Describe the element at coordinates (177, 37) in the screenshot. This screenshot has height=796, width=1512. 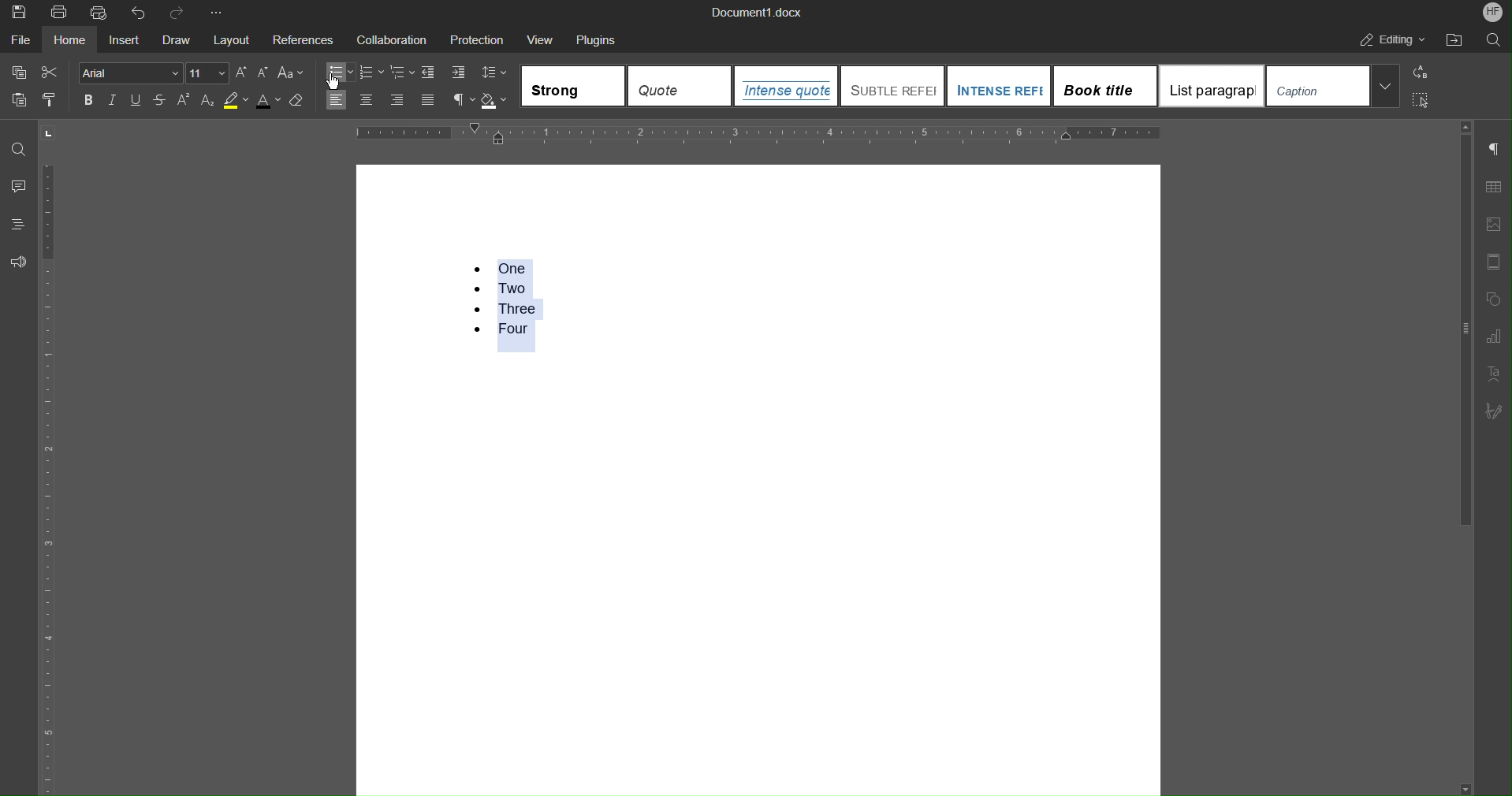
I see `Draw` at that location.